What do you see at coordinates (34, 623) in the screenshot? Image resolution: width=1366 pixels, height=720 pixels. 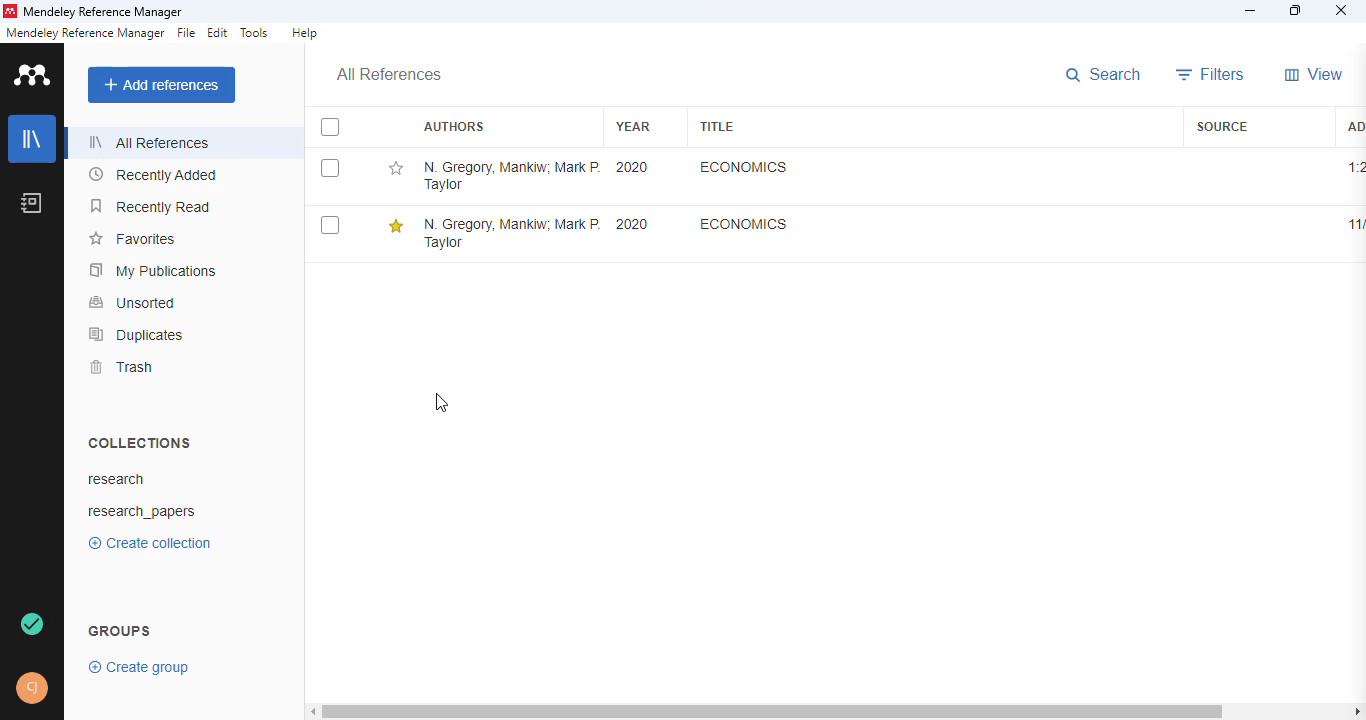 I see `sync` at bounding box center [34, 623].